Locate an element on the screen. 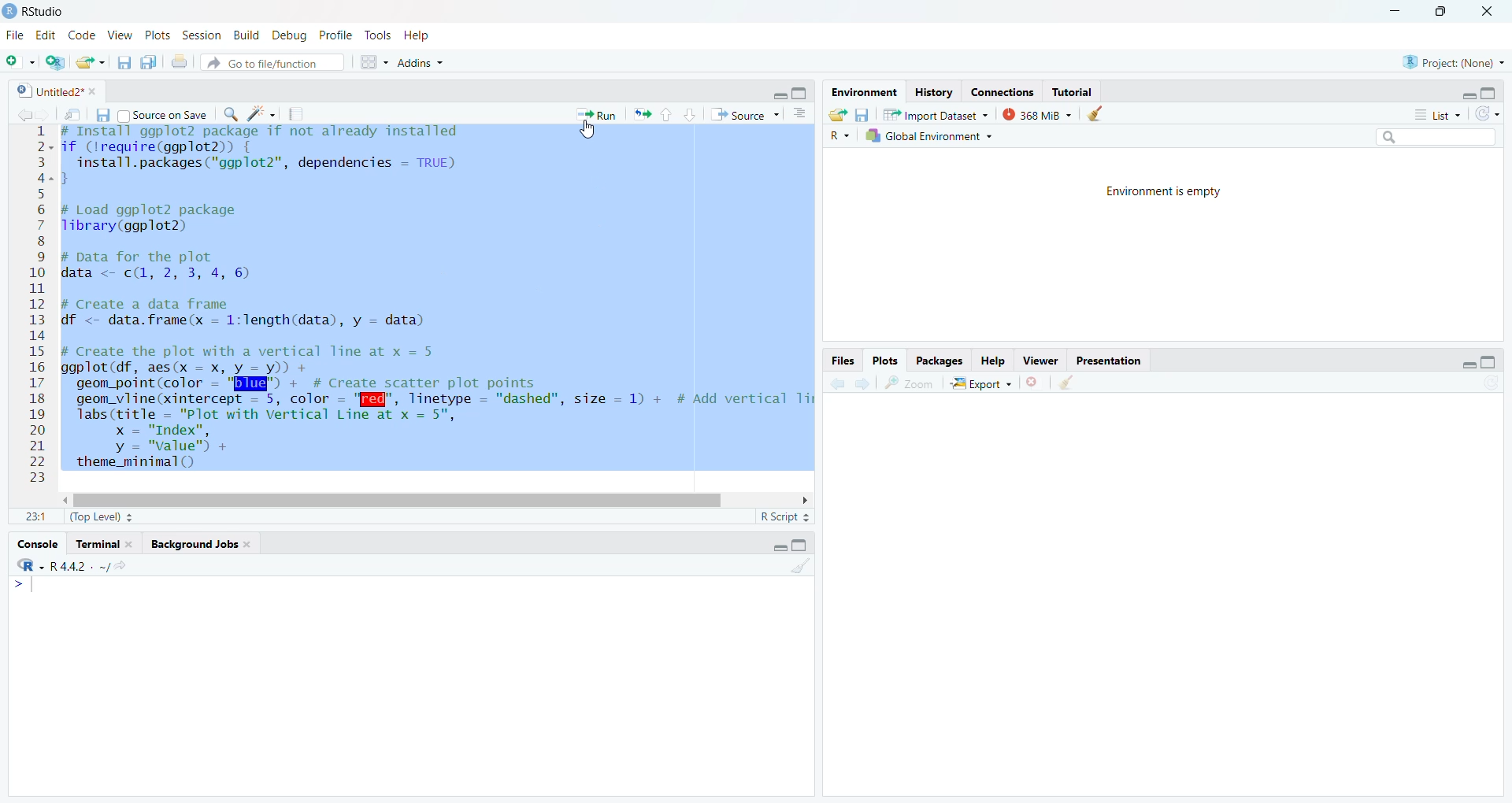  maximise is located at coordinates (1492, 362).